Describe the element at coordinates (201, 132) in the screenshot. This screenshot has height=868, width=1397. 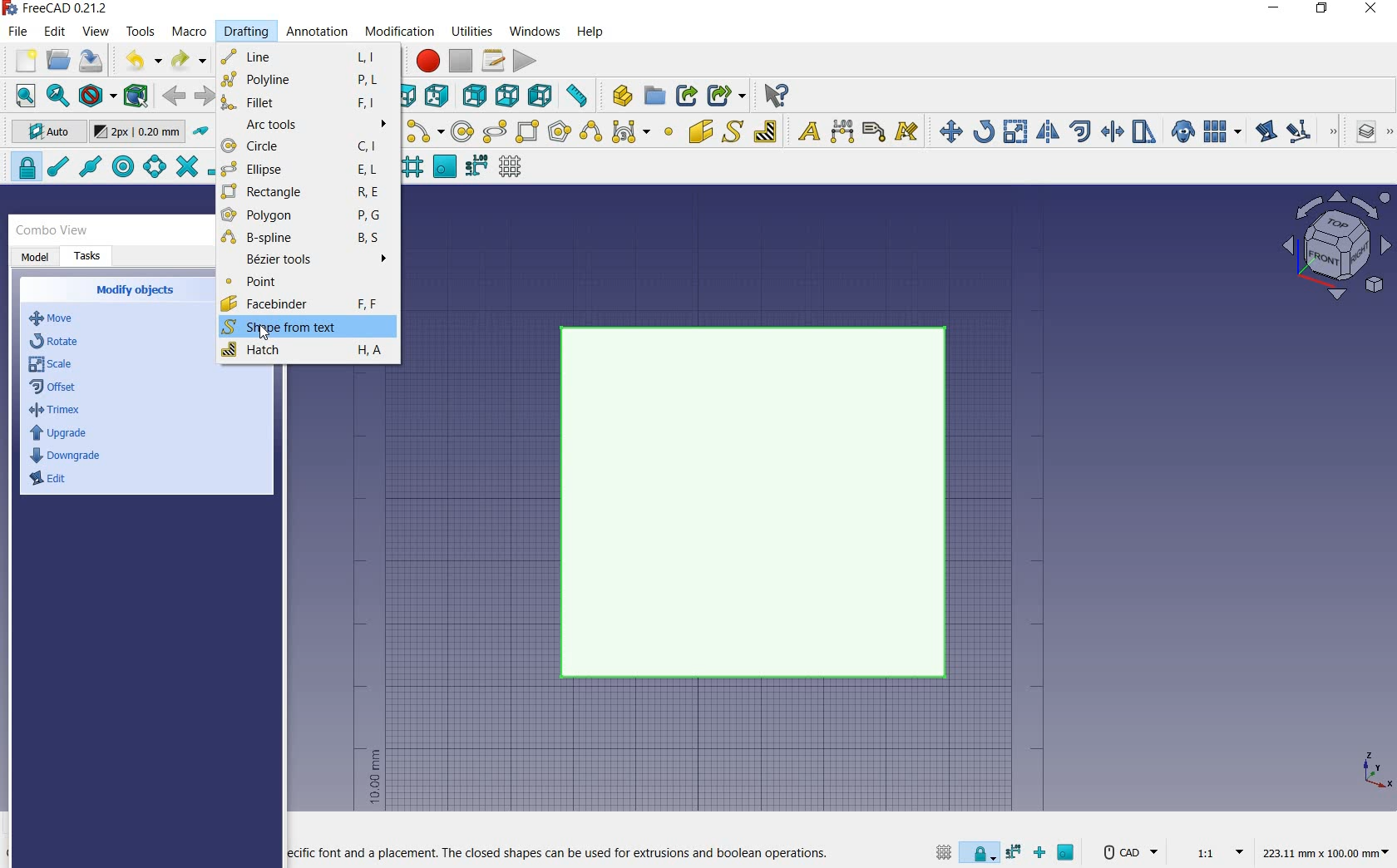
I see `toggle construction mode` at that location.